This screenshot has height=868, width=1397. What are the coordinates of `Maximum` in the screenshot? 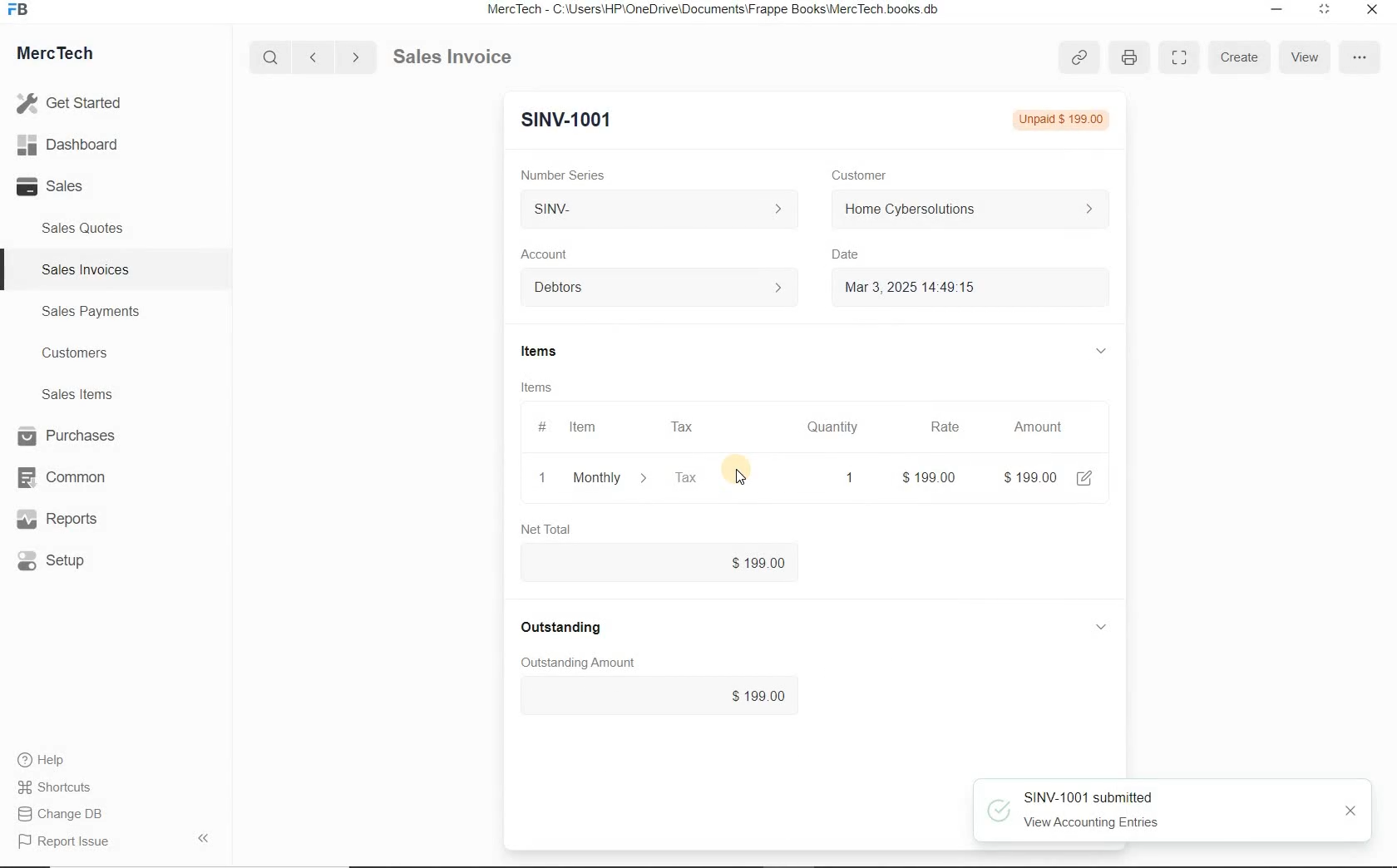 It's located at (1325, 12).